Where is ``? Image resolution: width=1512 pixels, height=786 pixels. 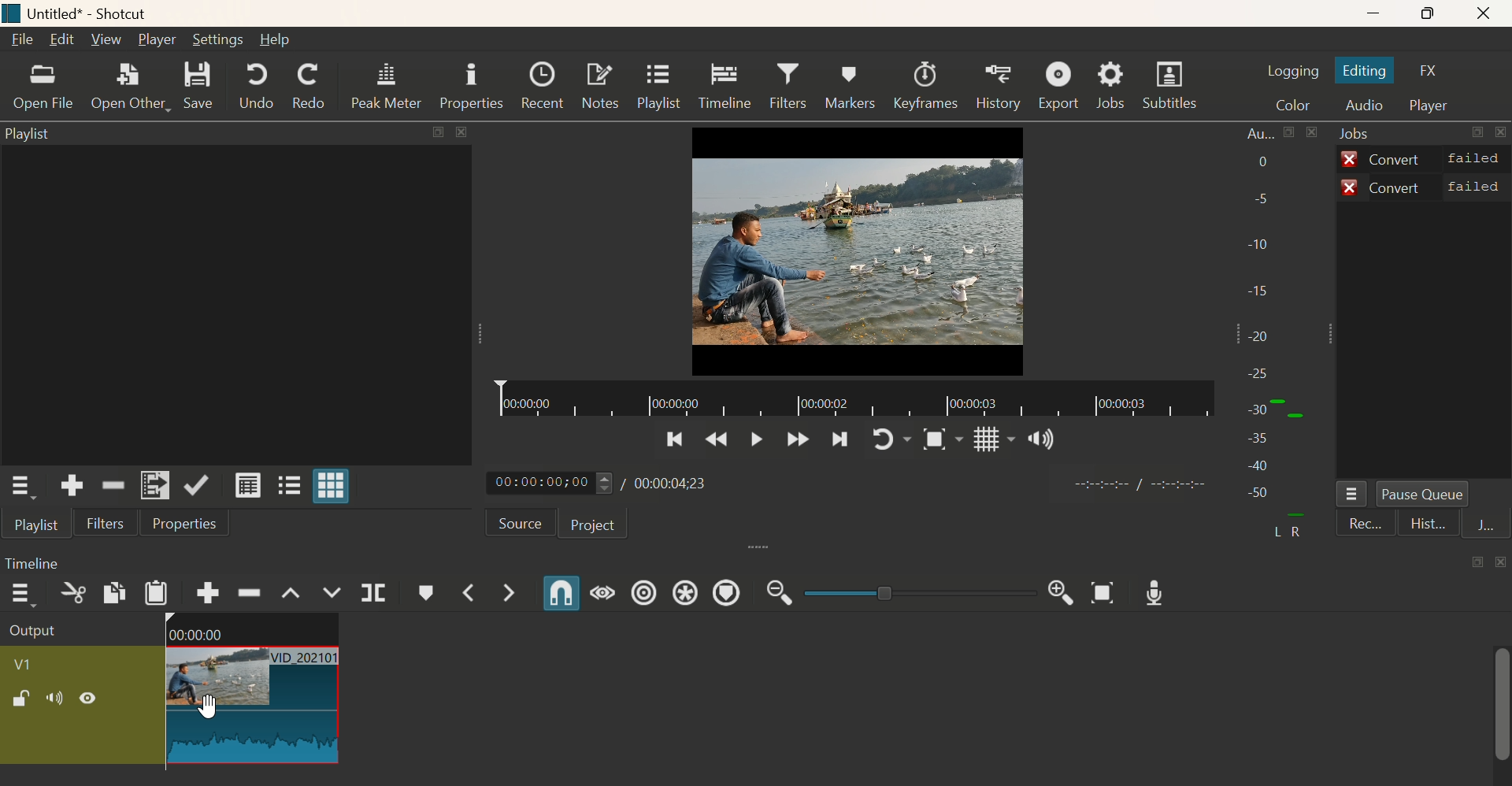
 is located at coordinates (524, 522).